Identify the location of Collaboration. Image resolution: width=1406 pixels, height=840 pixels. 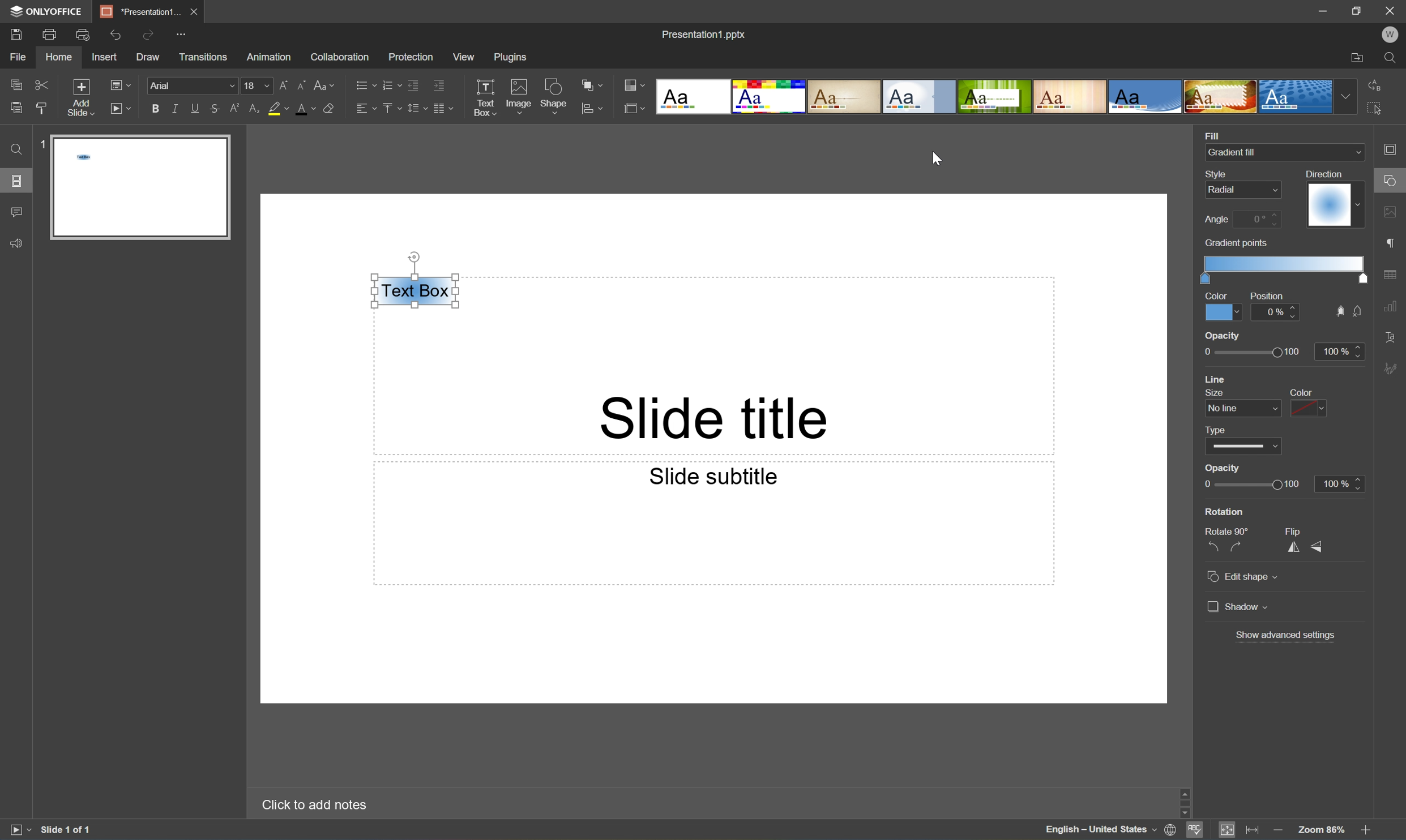
(339, 57).